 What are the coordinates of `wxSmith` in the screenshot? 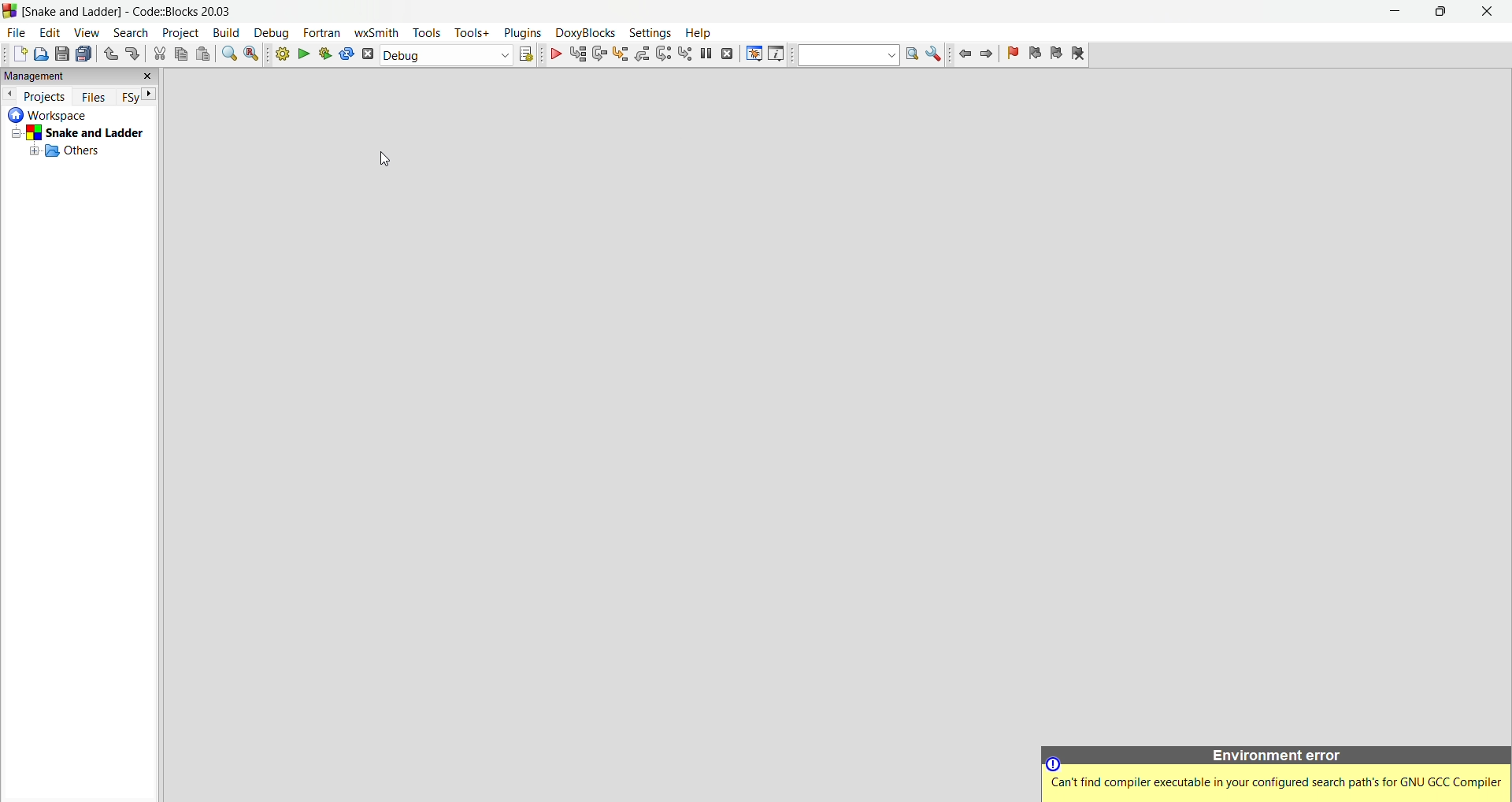 It's located at (377, 33).